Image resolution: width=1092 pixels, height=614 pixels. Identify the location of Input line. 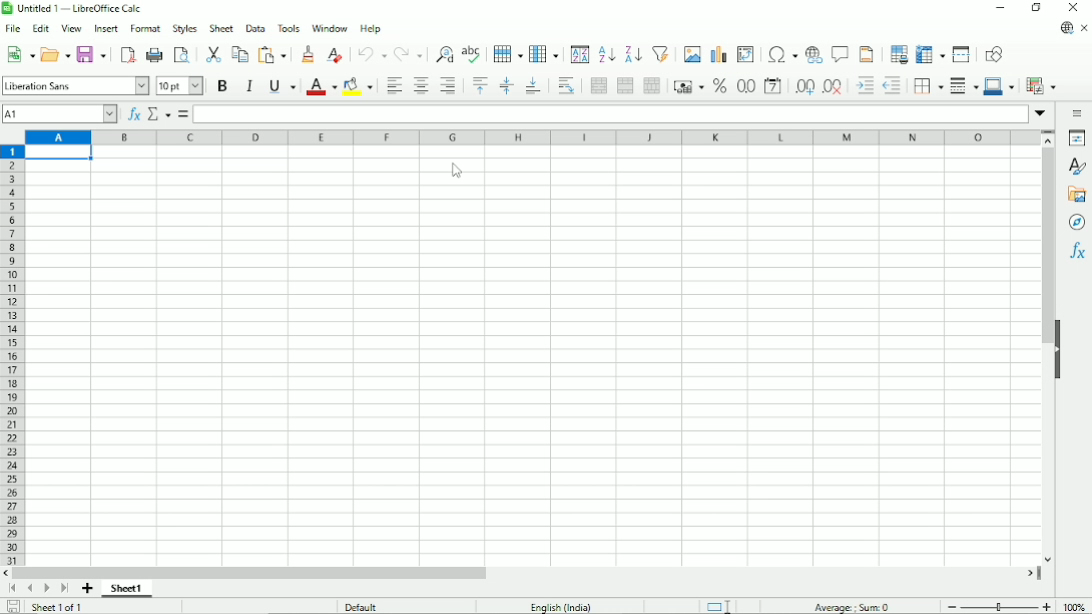
(610, 114).